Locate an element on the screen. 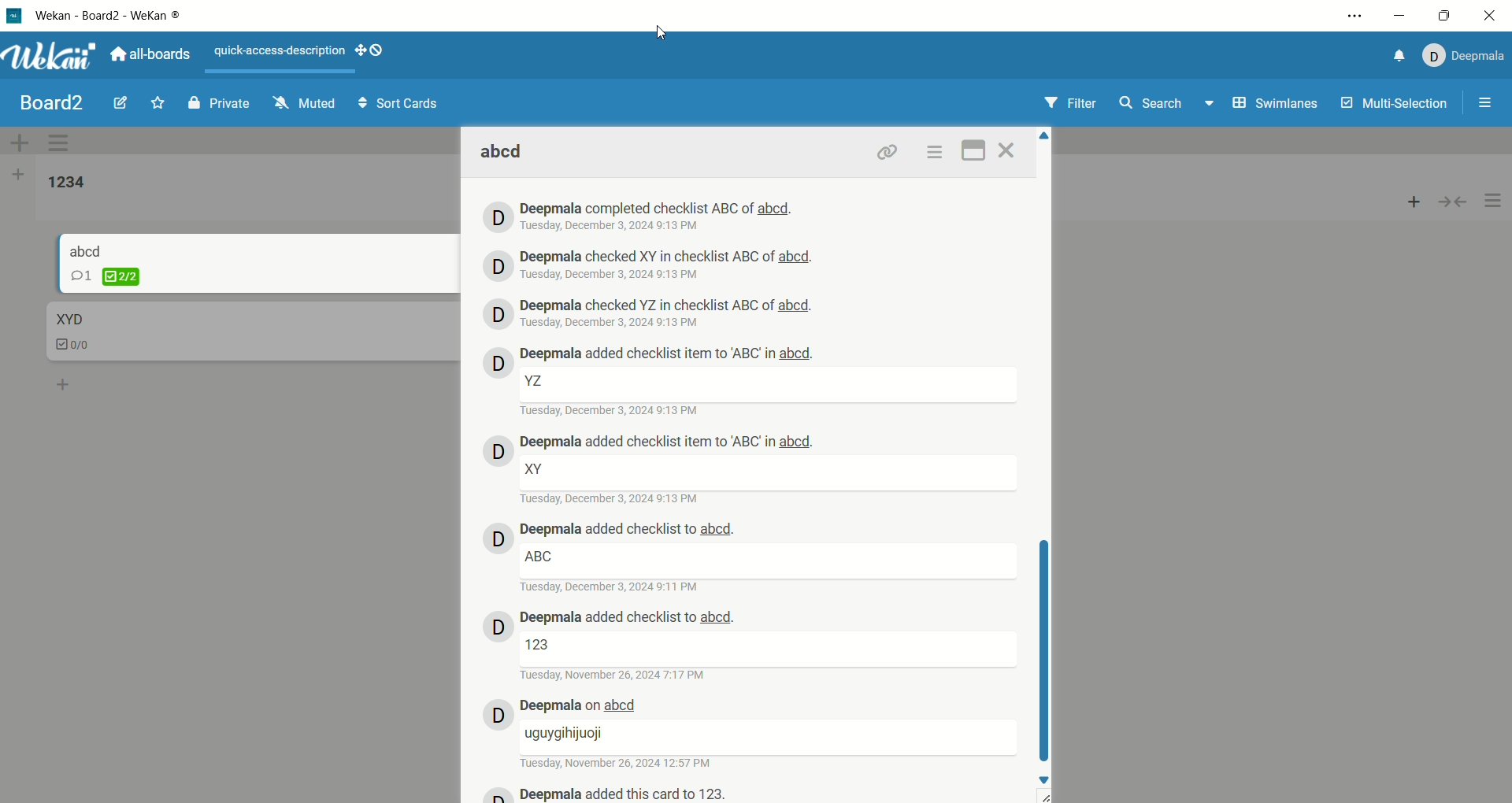 This screenshot has width=1512, height=803. date and time is located at coordinates (613, 589).